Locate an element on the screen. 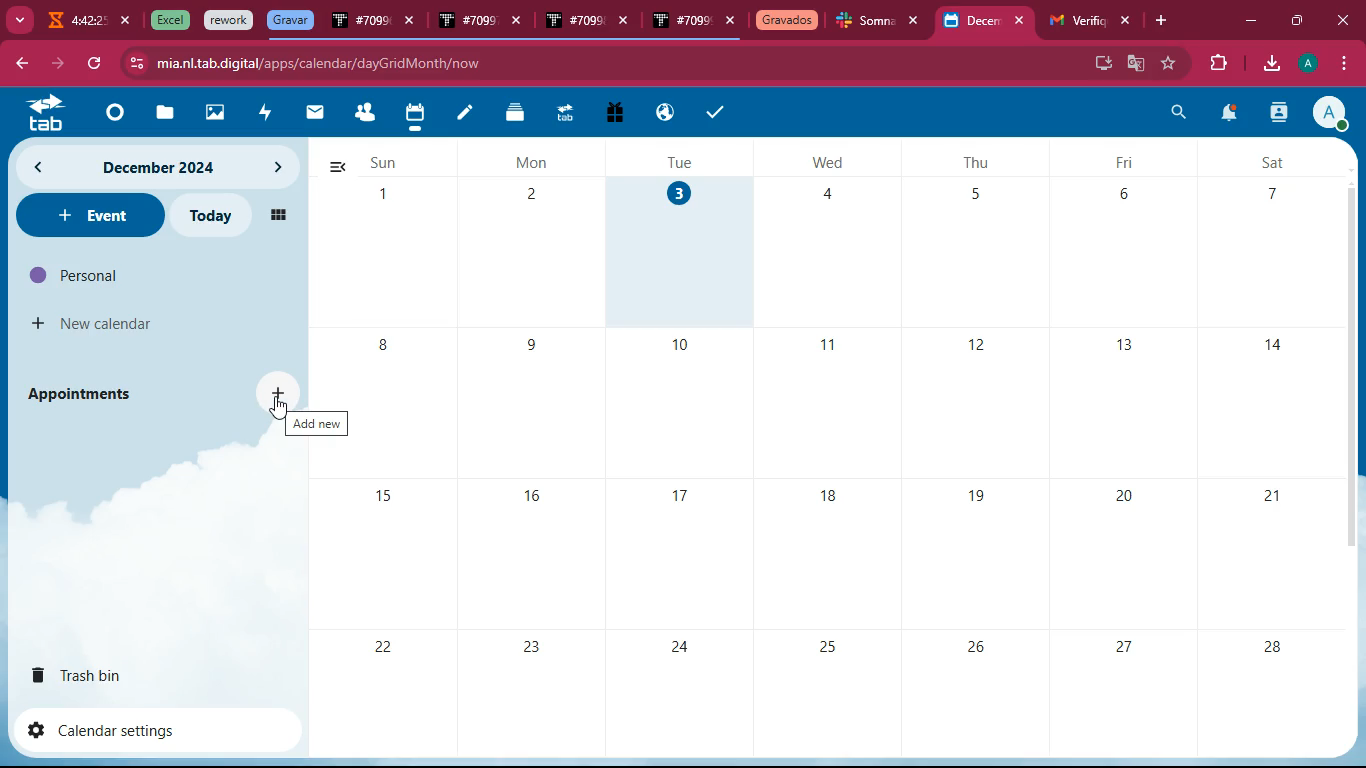 This screenshot has height=768, width=1366. tab is located at coordinates (229, 21).